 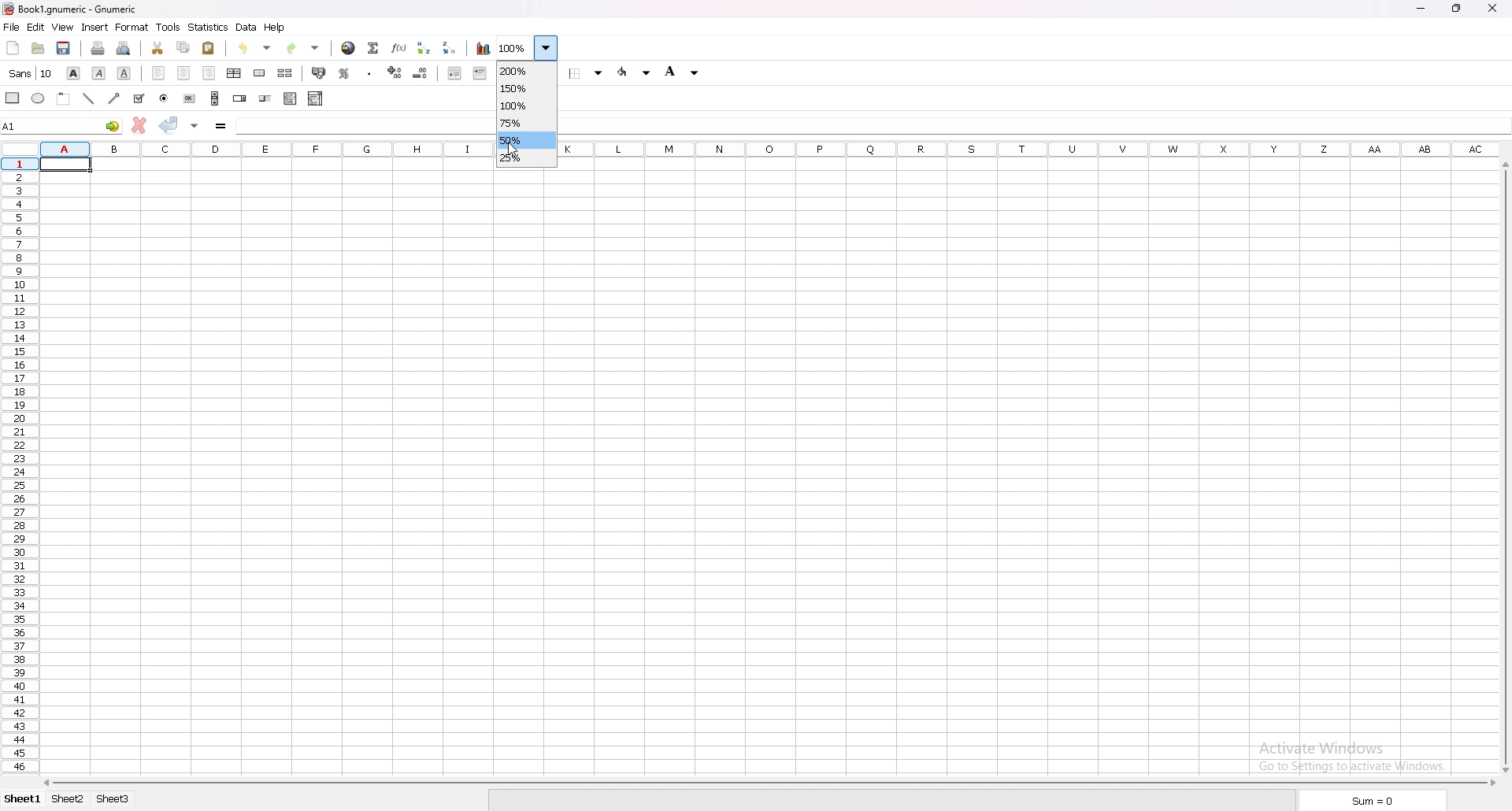 What do you see at coordinates (215, 98) in the screenshot?
I see `scroll bar` at bounding box center [215, 98].